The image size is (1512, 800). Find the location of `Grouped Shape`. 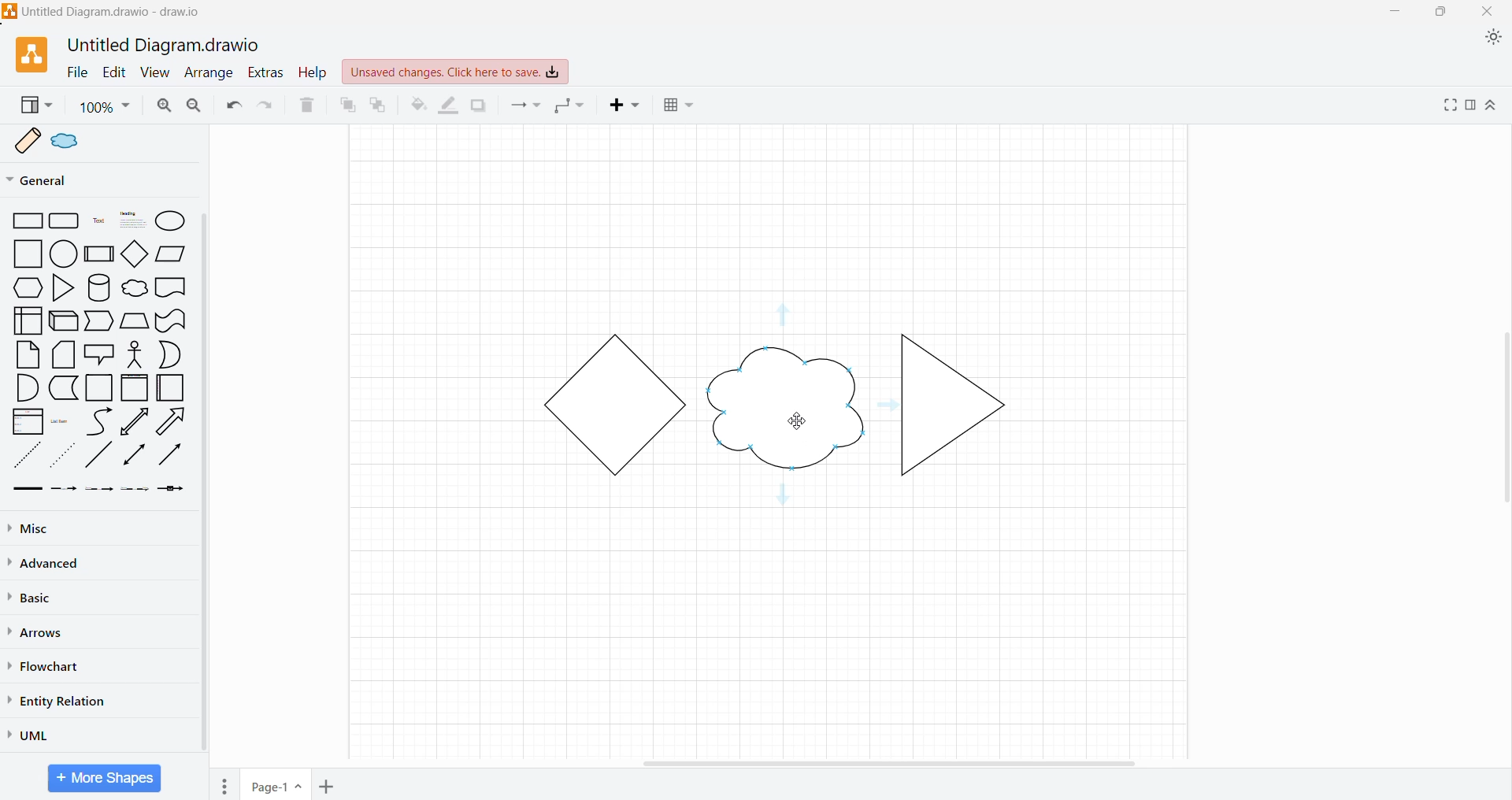

Grouped Shape is located at coordinates (780, 405).